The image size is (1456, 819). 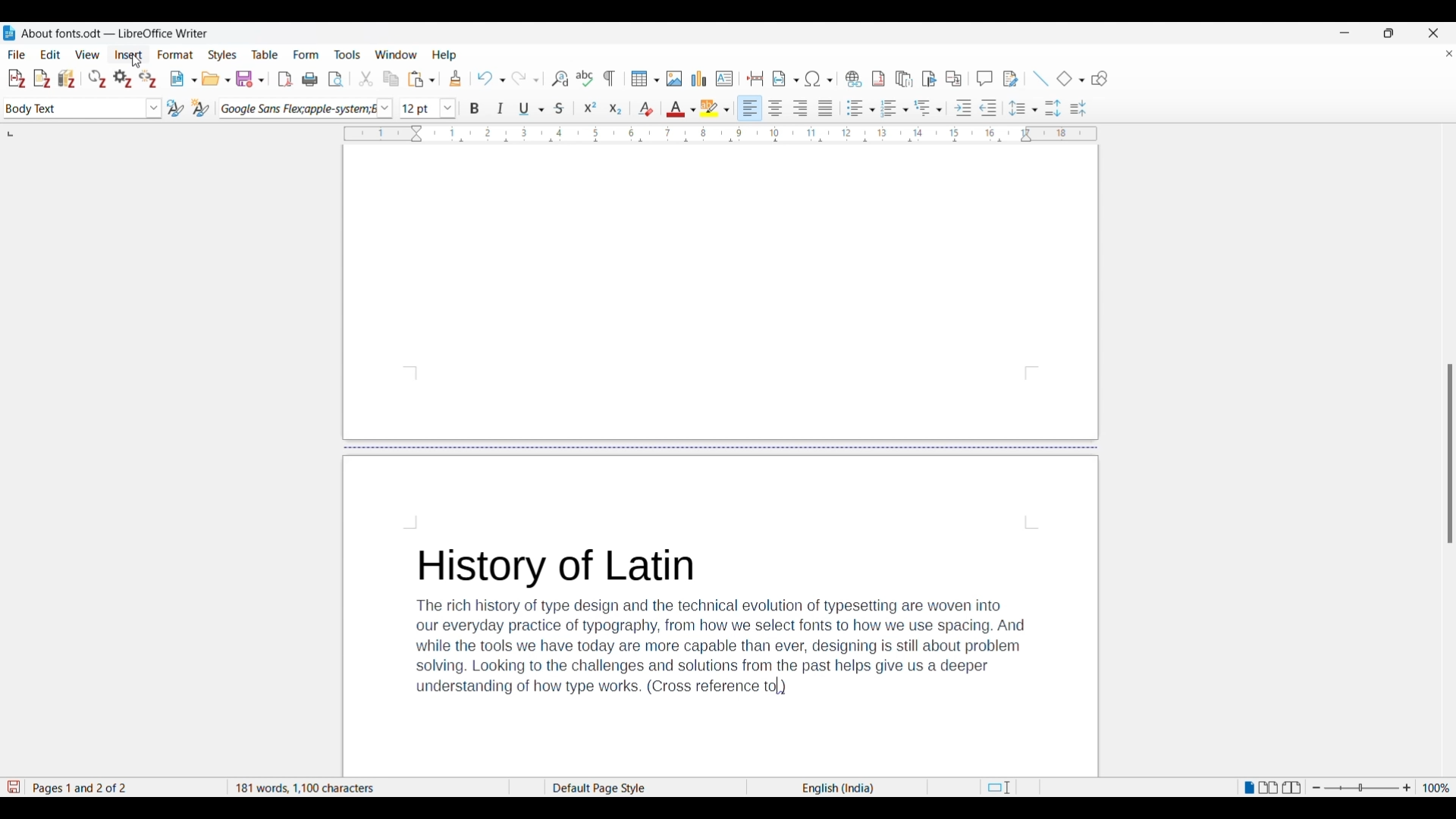 What do you see at coordinates (722, 628) in the screenshot?
I see `History of LatinThe rich history of type design and the technical evolution of typesetting are woven intoour everyday practice of typography, from how we select fonts to how we use spacing. Andwhile the tools we have today are more capable than ever, designing is still about problemsolving. Looking to the challenges and solutions from the past helps give us a deeperunderstanding of how type works. (Cross reference )` at bounding box center [722, 628].